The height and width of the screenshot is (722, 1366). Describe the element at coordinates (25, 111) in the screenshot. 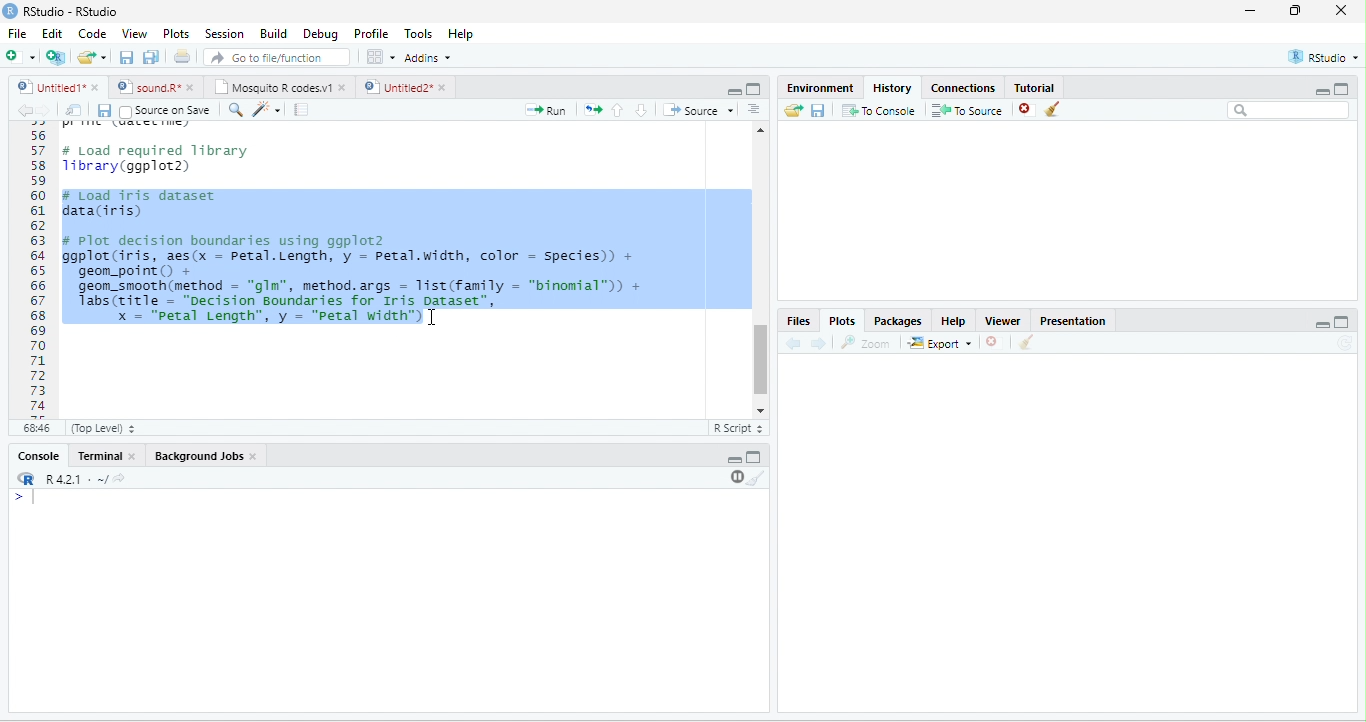

I see `back` at that location.